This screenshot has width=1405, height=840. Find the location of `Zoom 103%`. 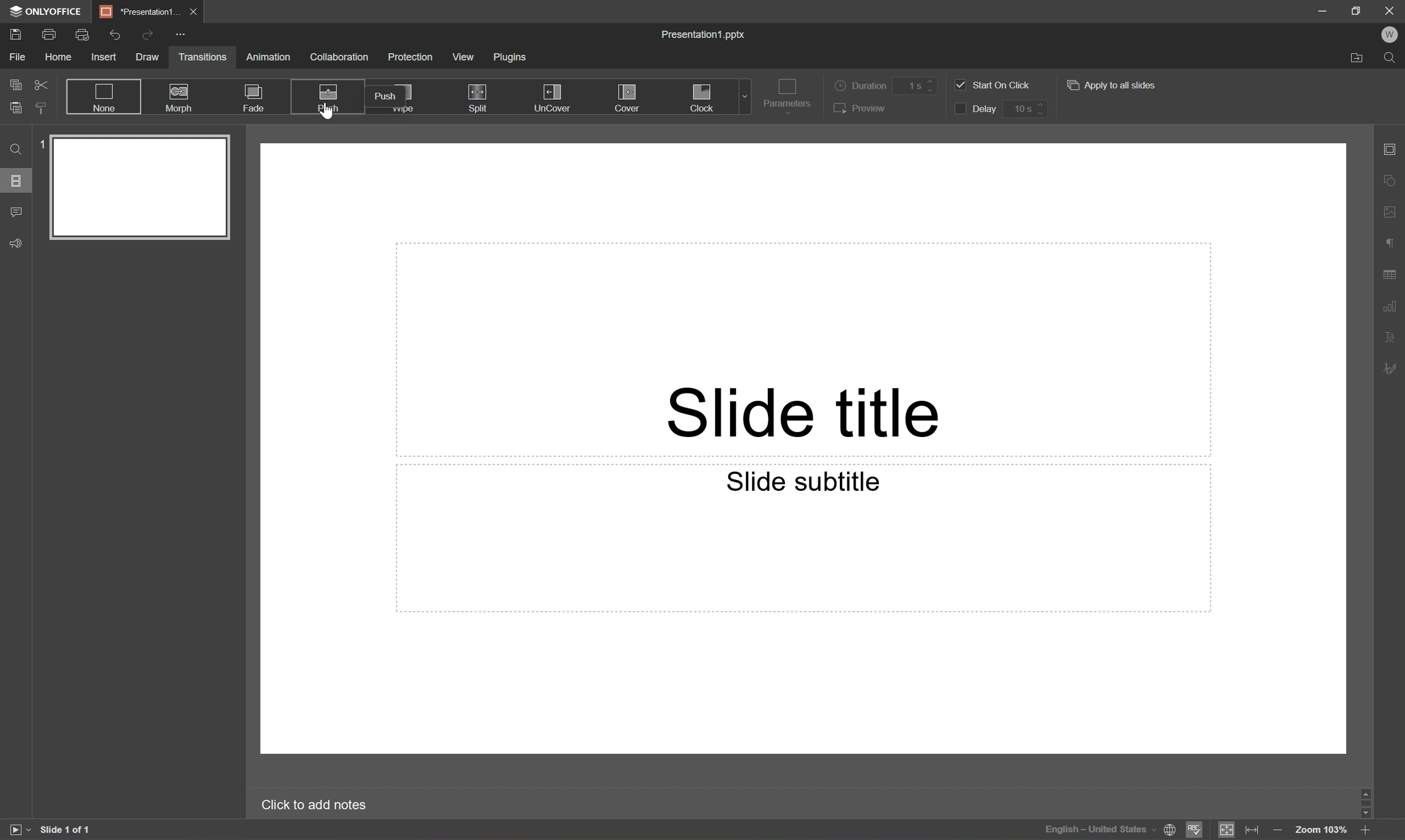

Zoom 103% is located at coordinates (1318, 831).